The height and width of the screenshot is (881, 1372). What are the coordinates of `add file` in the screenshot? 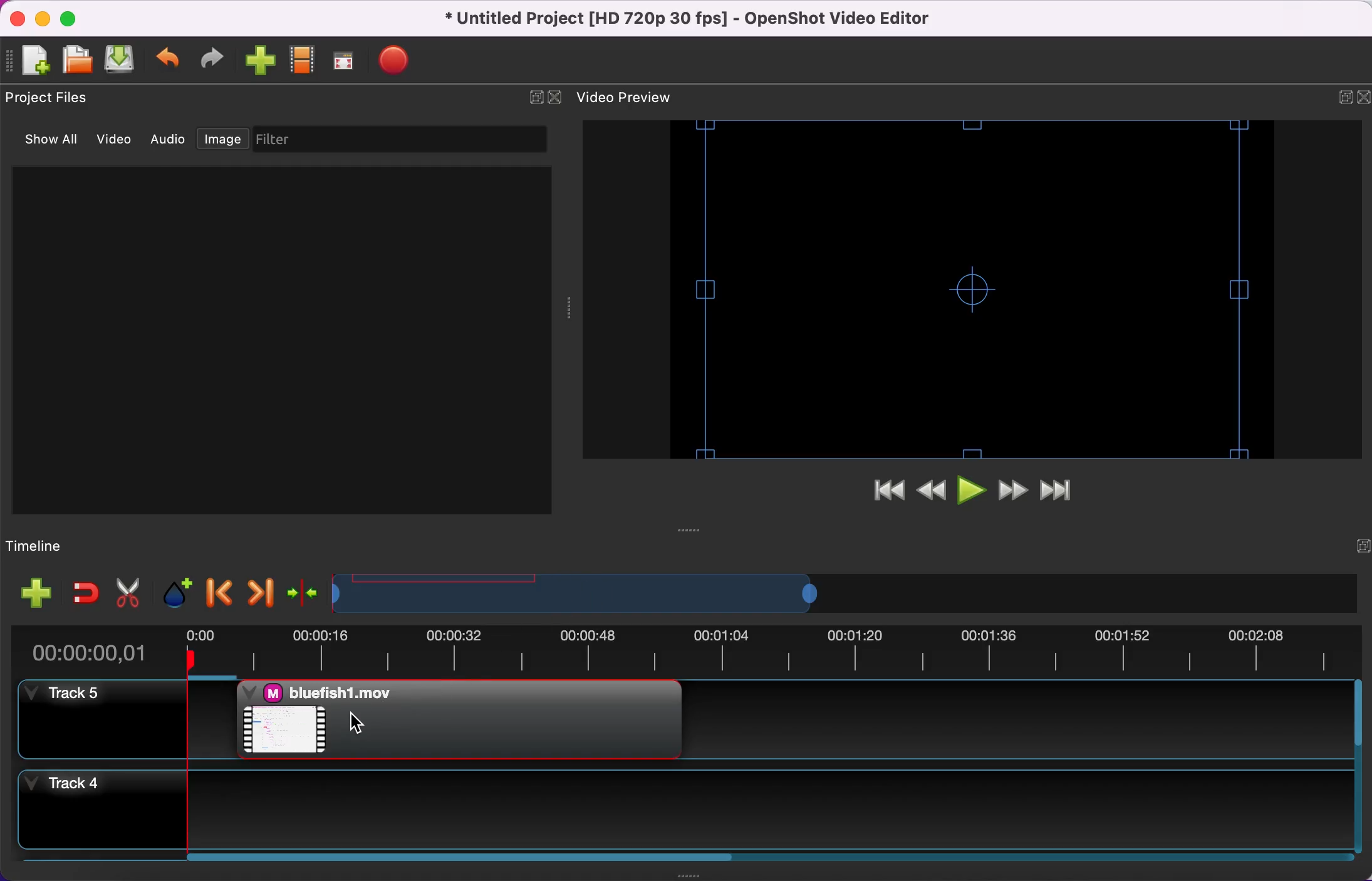 It's located at (38, 593).